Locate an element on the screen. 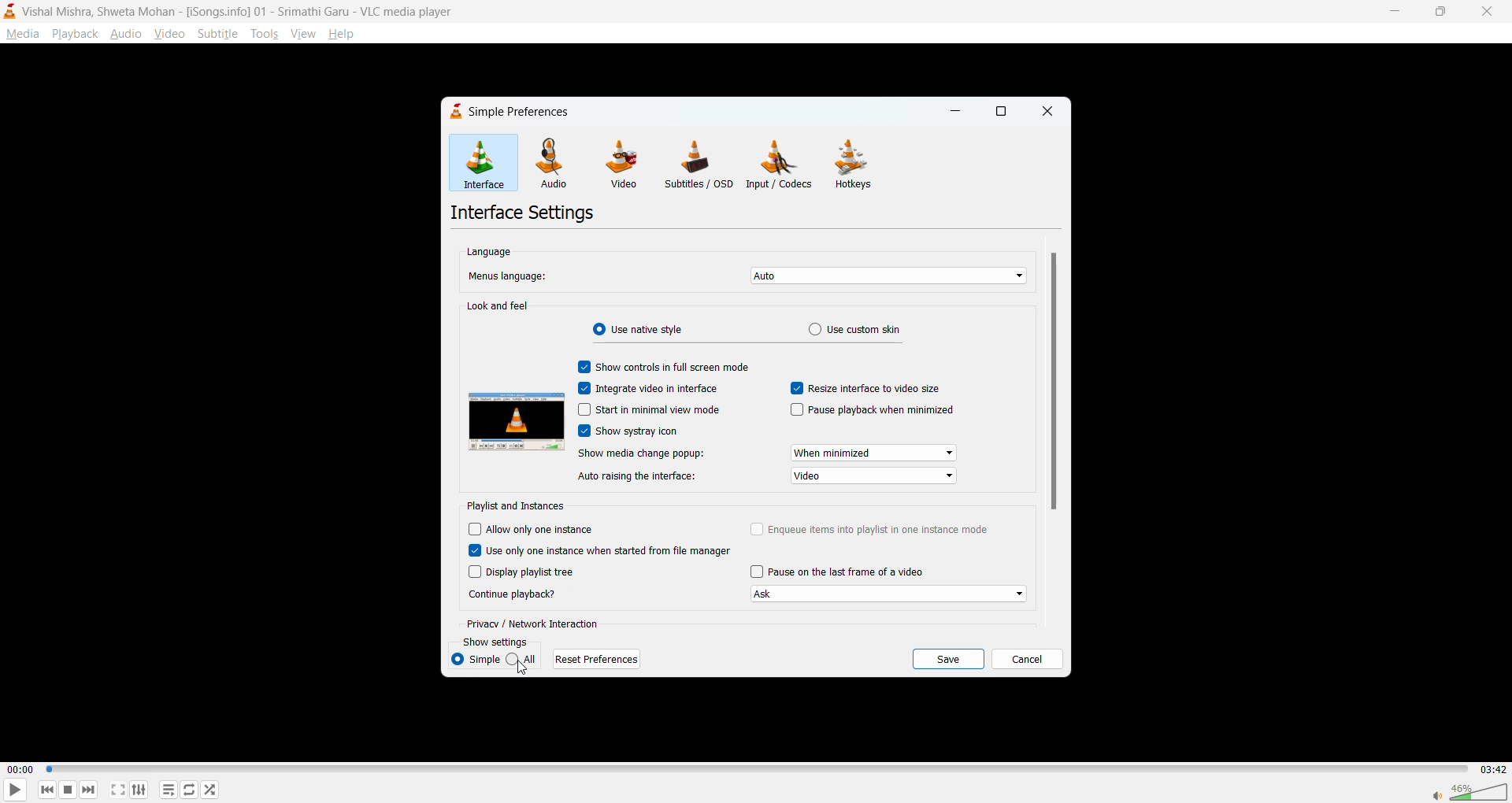 This screenshot has height=803, width=1512. random is located at coordinates (210, 789).